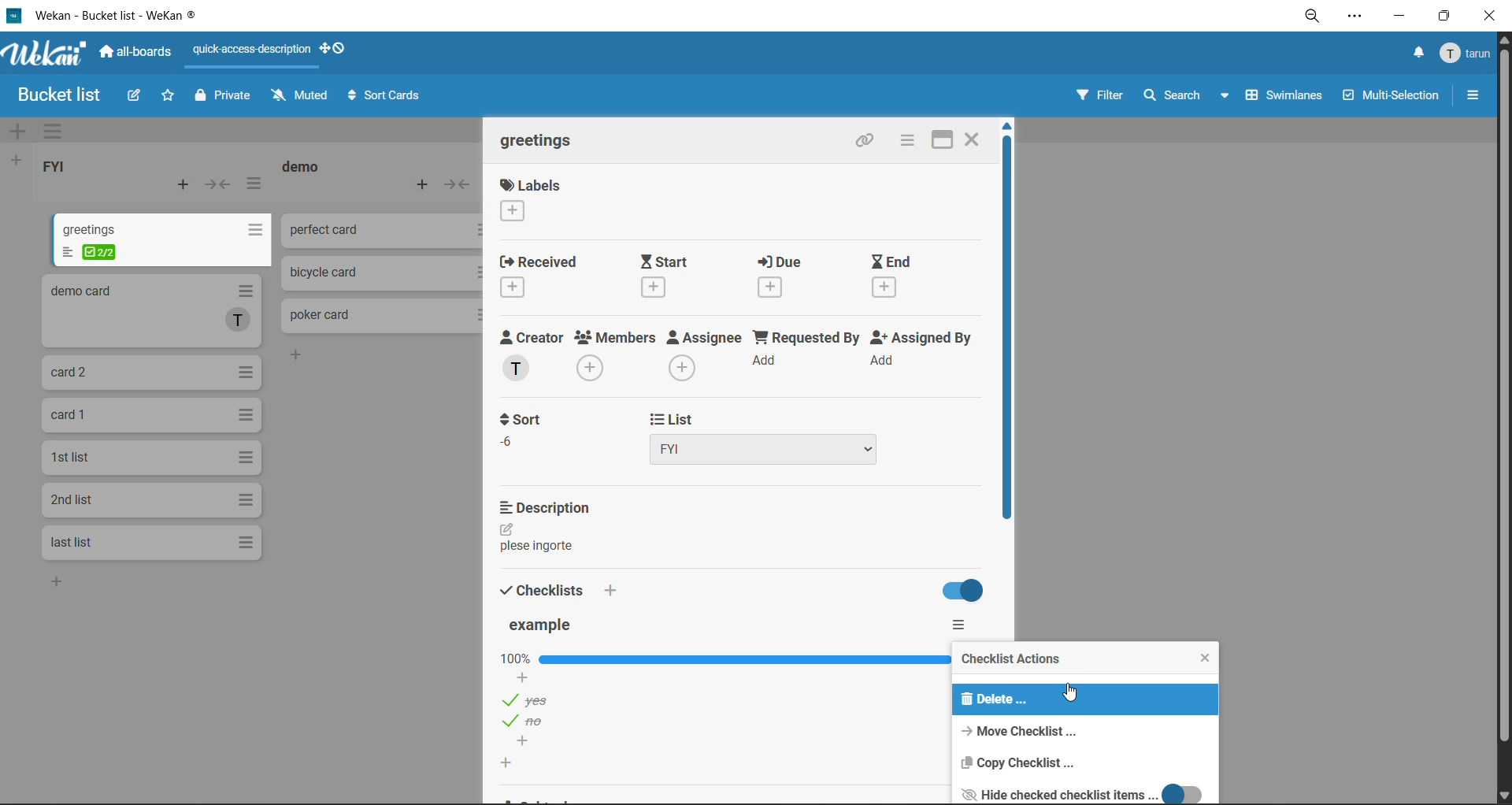 This screenshot has width=1512, height=805. I want to click on delete, so click(997, 700).